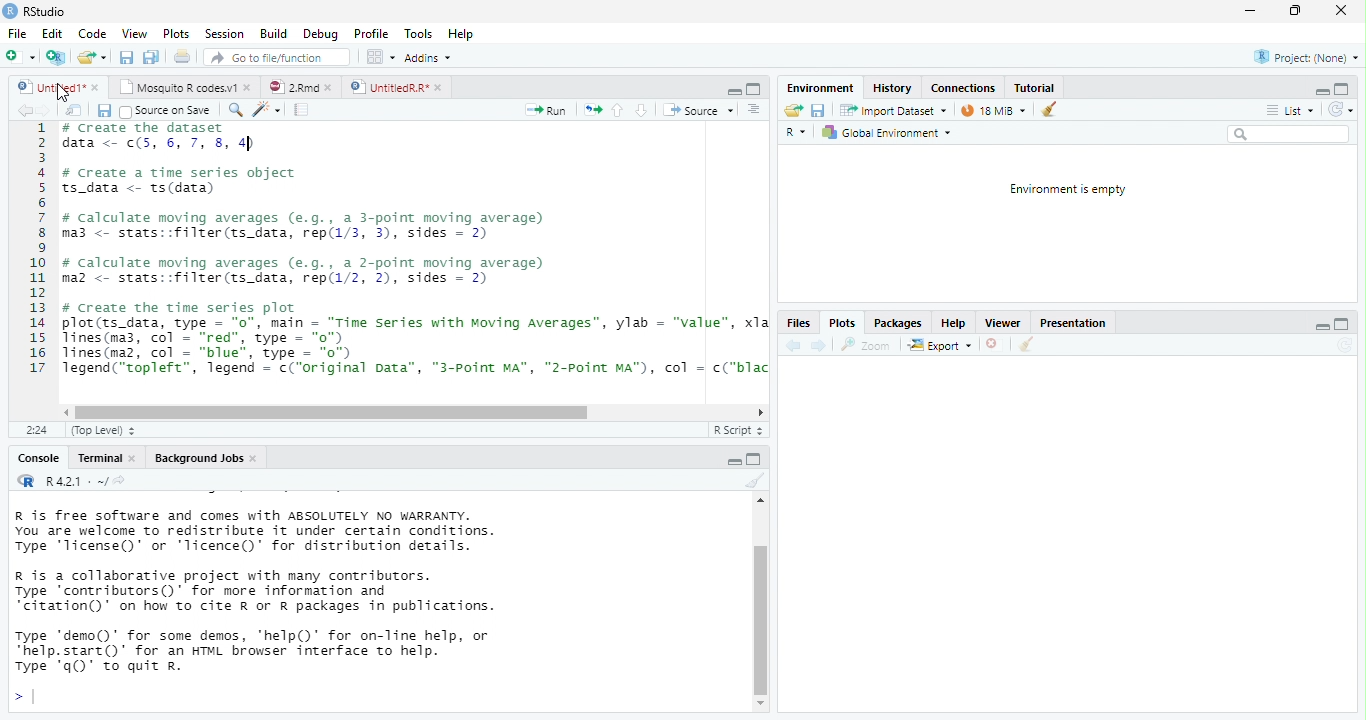 This screenshot has height=720, width=1366. What do you see at coordinates (120, 480) in the screenshot?
I see `view the current working directory` at bounding box center [120, 480].